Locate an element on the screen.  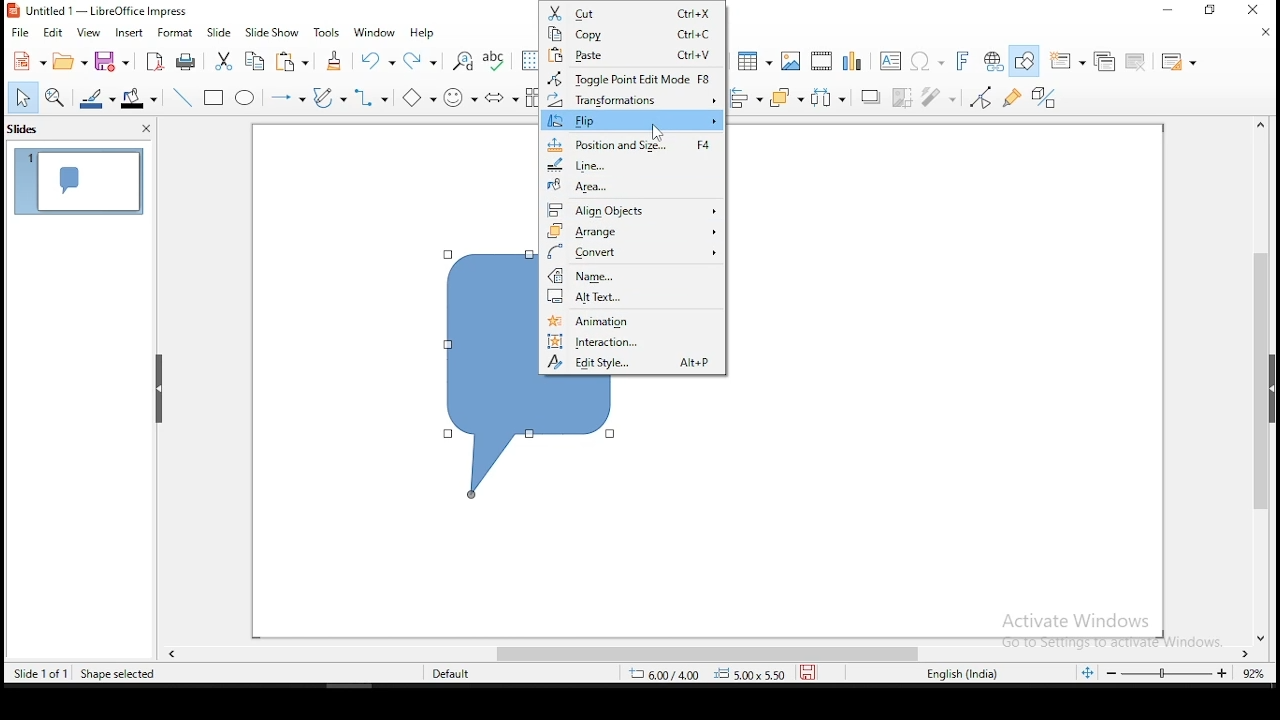
animation is located at coordinates (632, 318).